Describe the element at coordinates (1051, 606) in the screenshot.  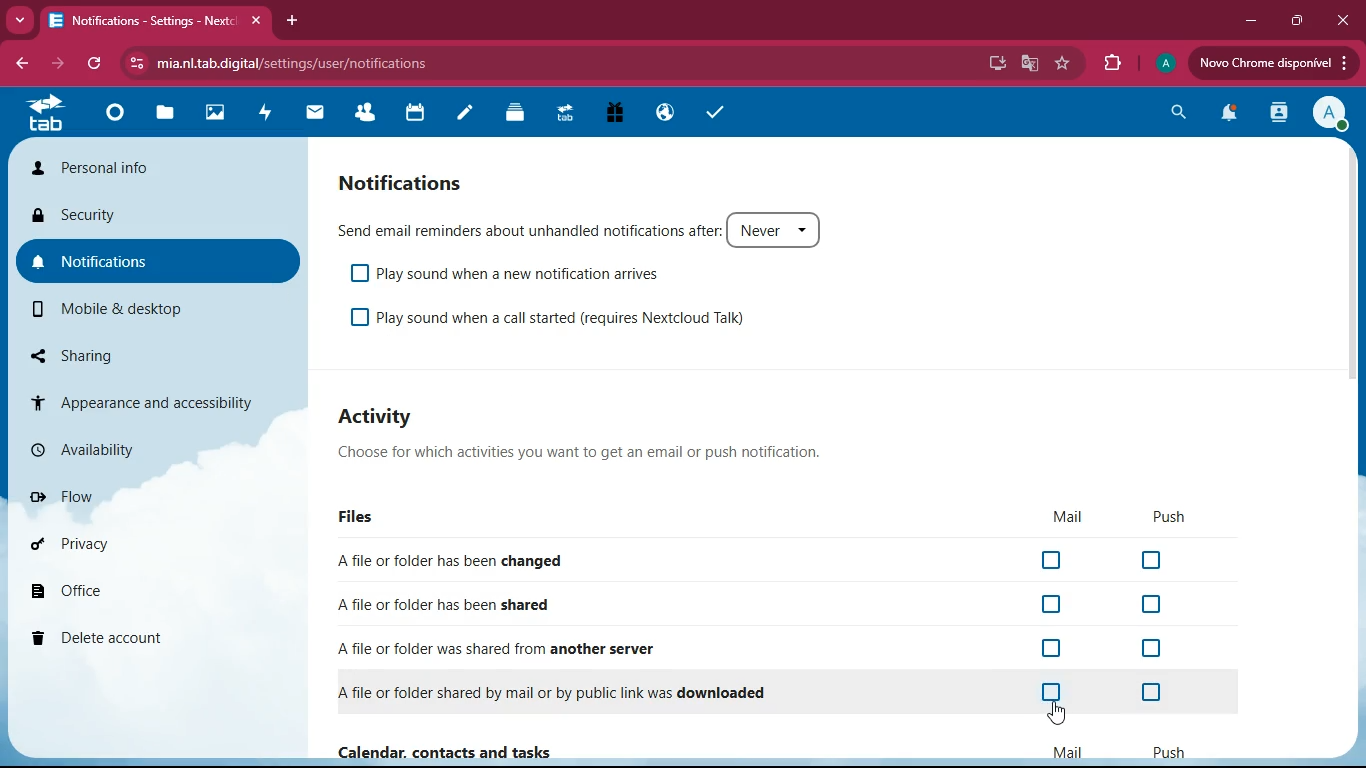
I see `off` at that location.